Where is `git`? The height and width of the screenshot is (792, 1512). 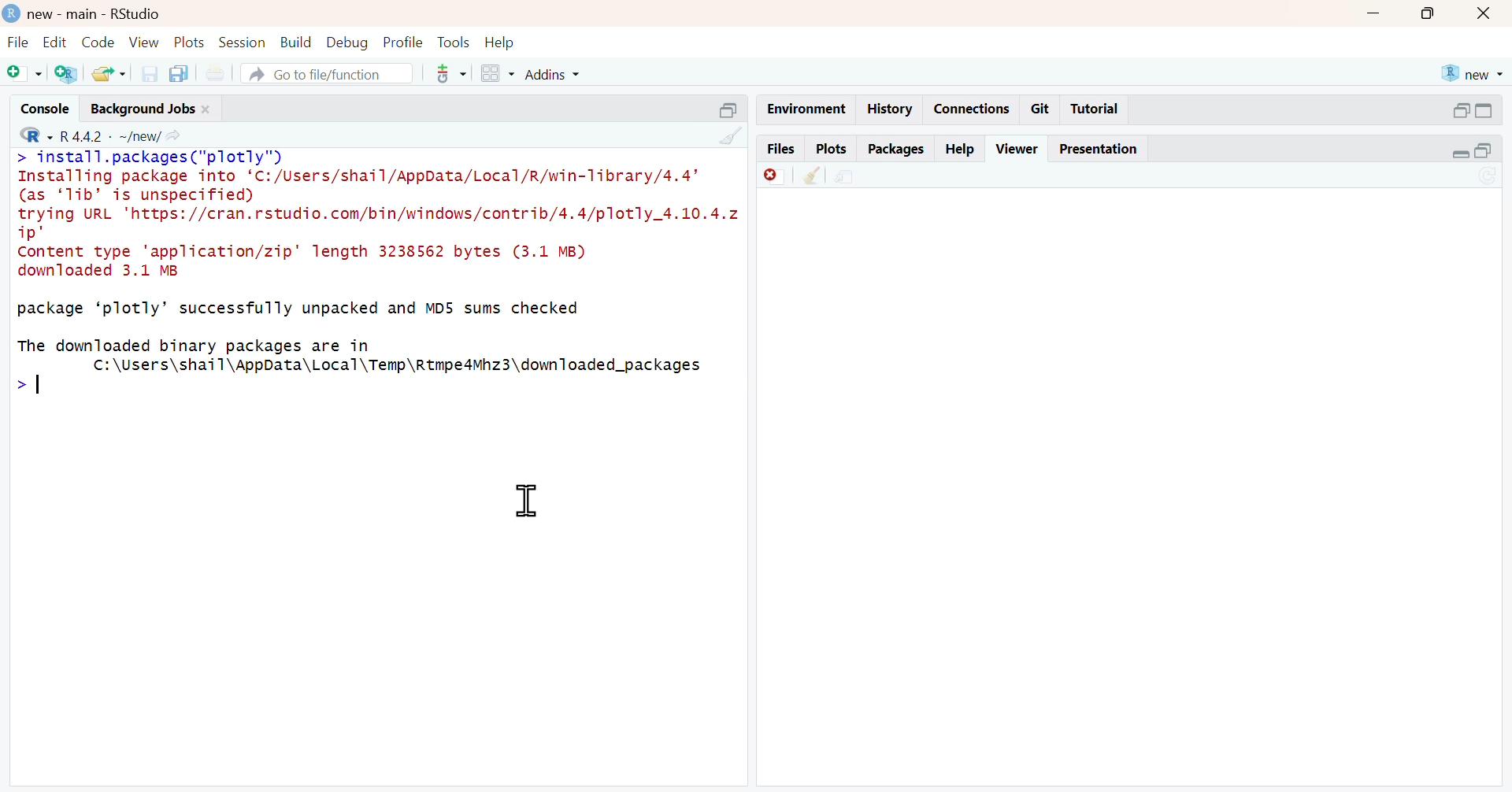 git is located at coordinates (1041, 109).